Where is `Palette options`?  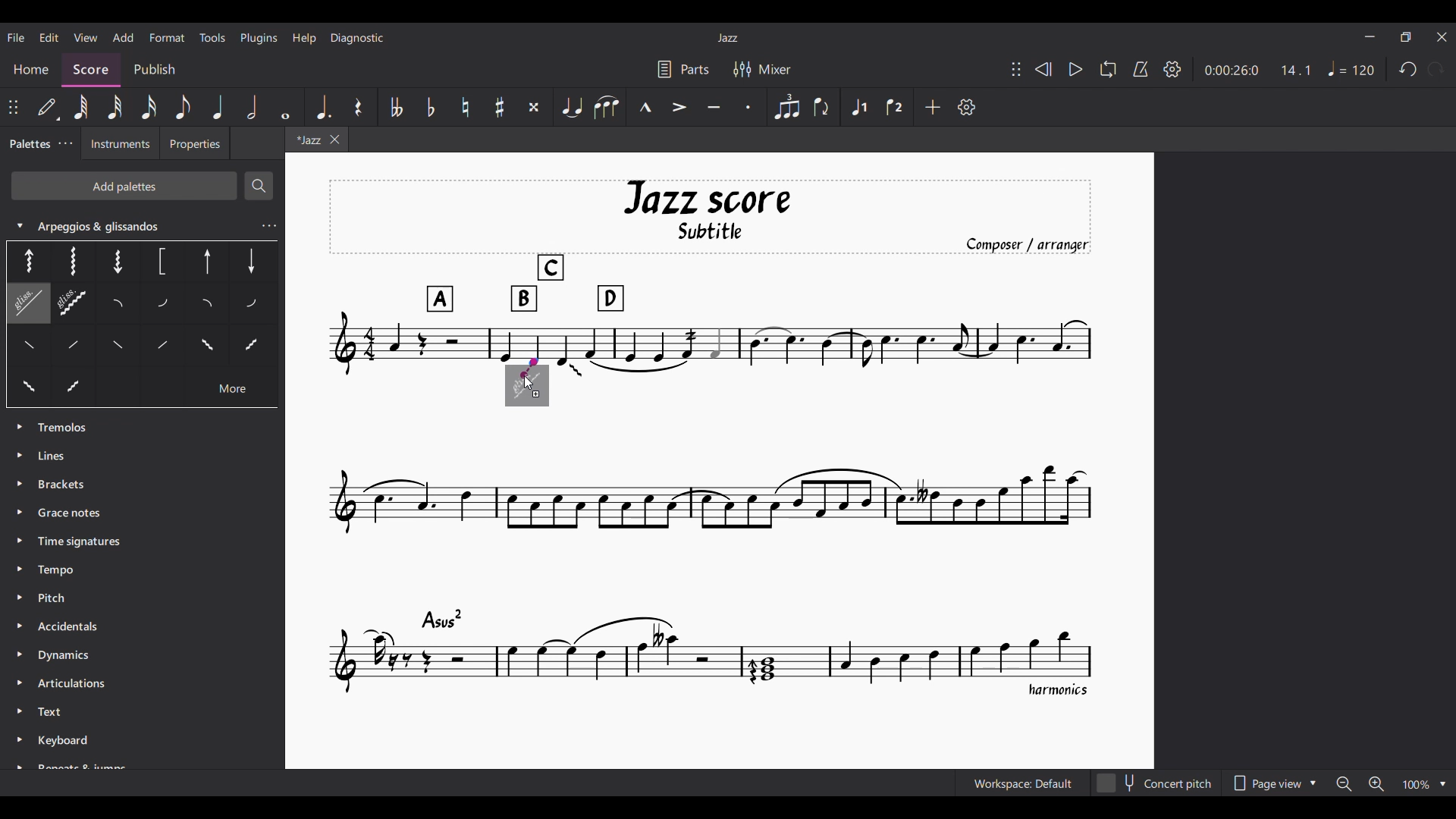 Palette options is located at coordinates (67, 428).